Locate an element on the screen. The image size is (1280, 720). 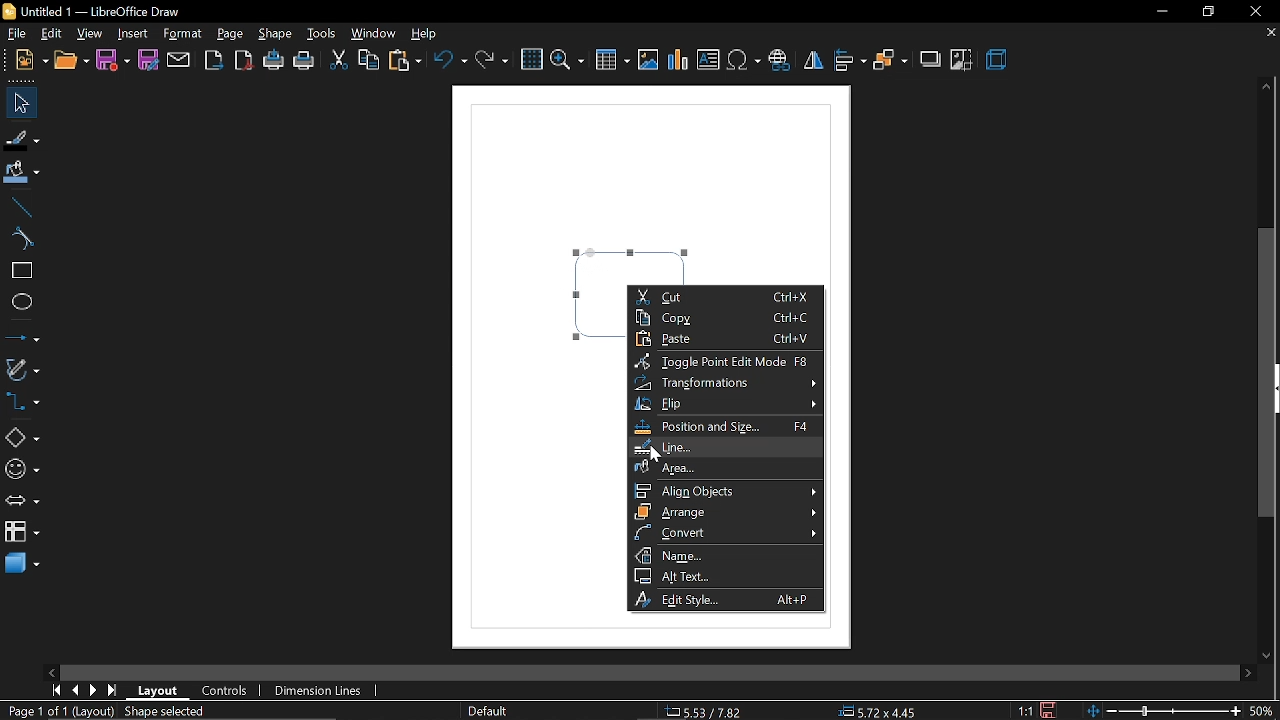
insert image is located at coordinates (649, 61).